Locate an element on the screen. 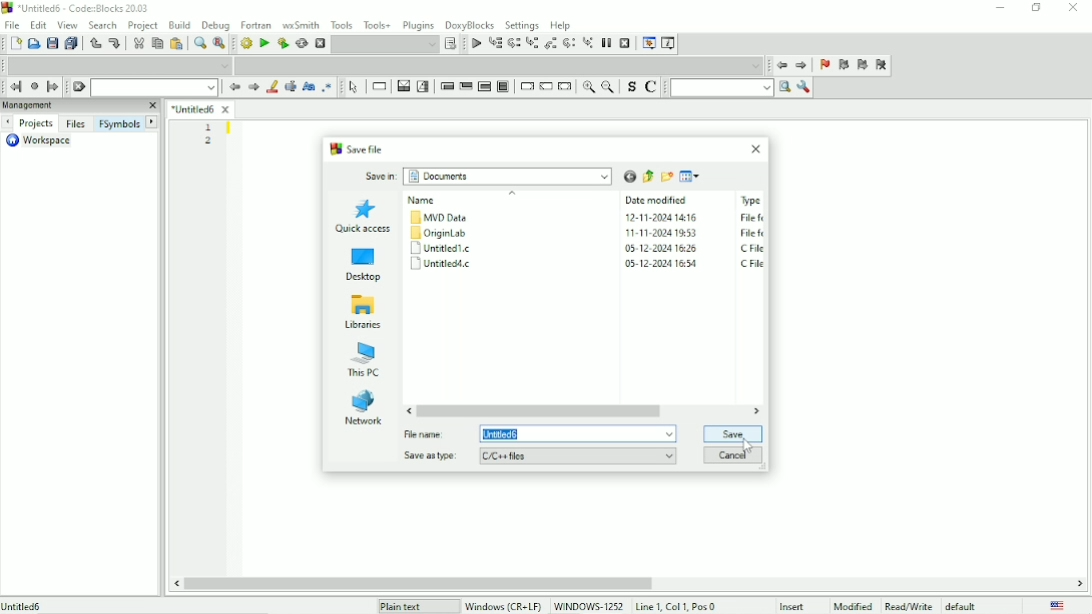  Jump forward is located at coordinates (53, 87).